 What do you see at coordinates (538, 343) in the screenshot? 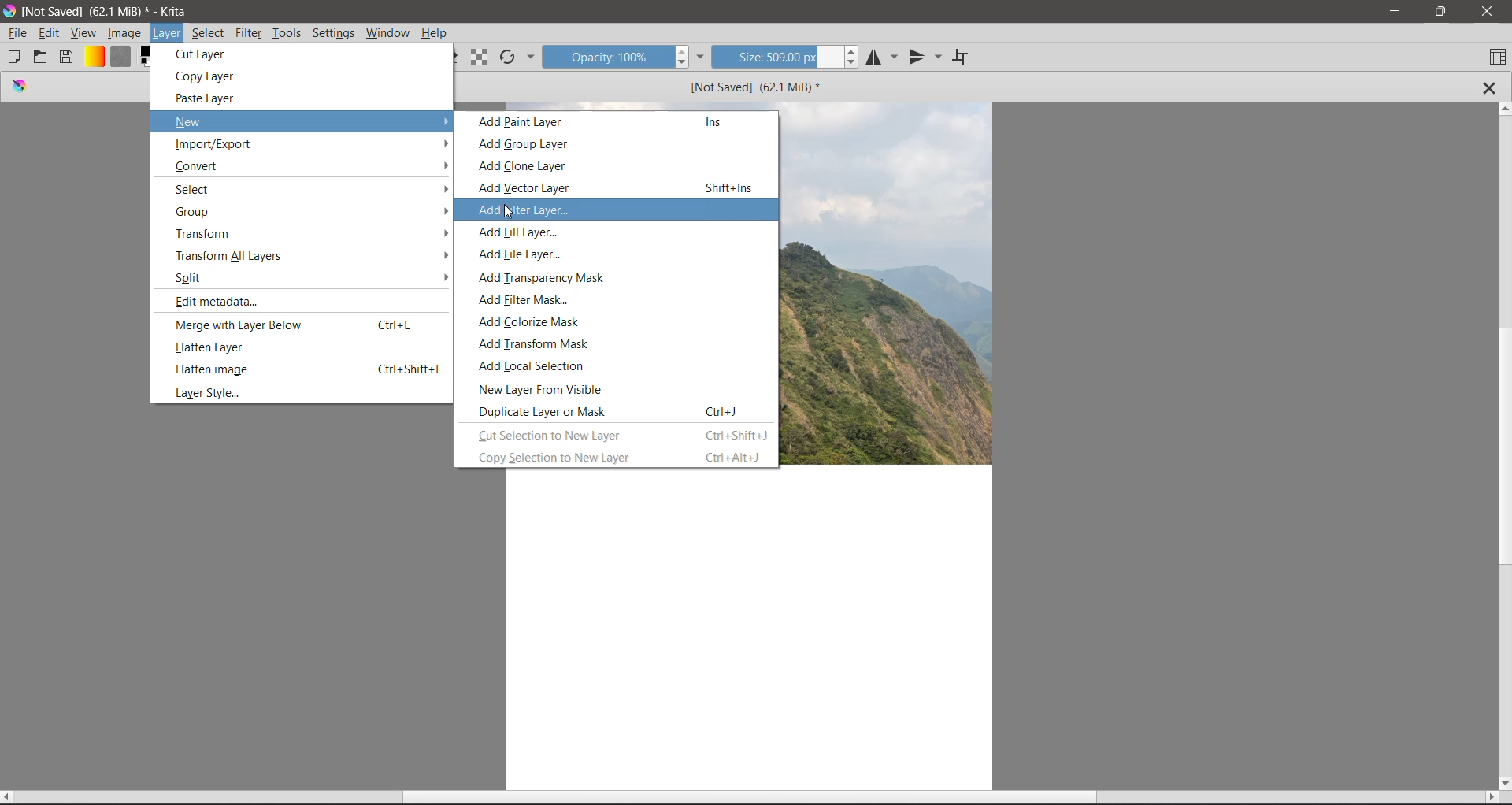
I see `Add Transform Mask` at bounding box center [538, 343].